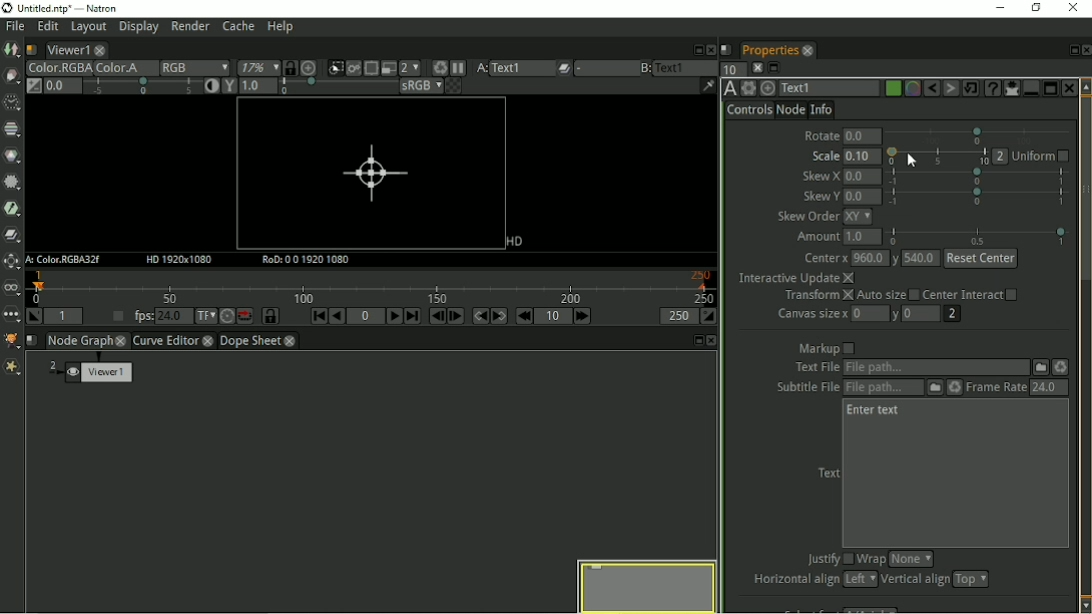 This screenshot has height=614, width=1092. What do you see at coordinates (204, 317) in the screenshot?
I see `Set time display format` at bounding box center [204, 317].